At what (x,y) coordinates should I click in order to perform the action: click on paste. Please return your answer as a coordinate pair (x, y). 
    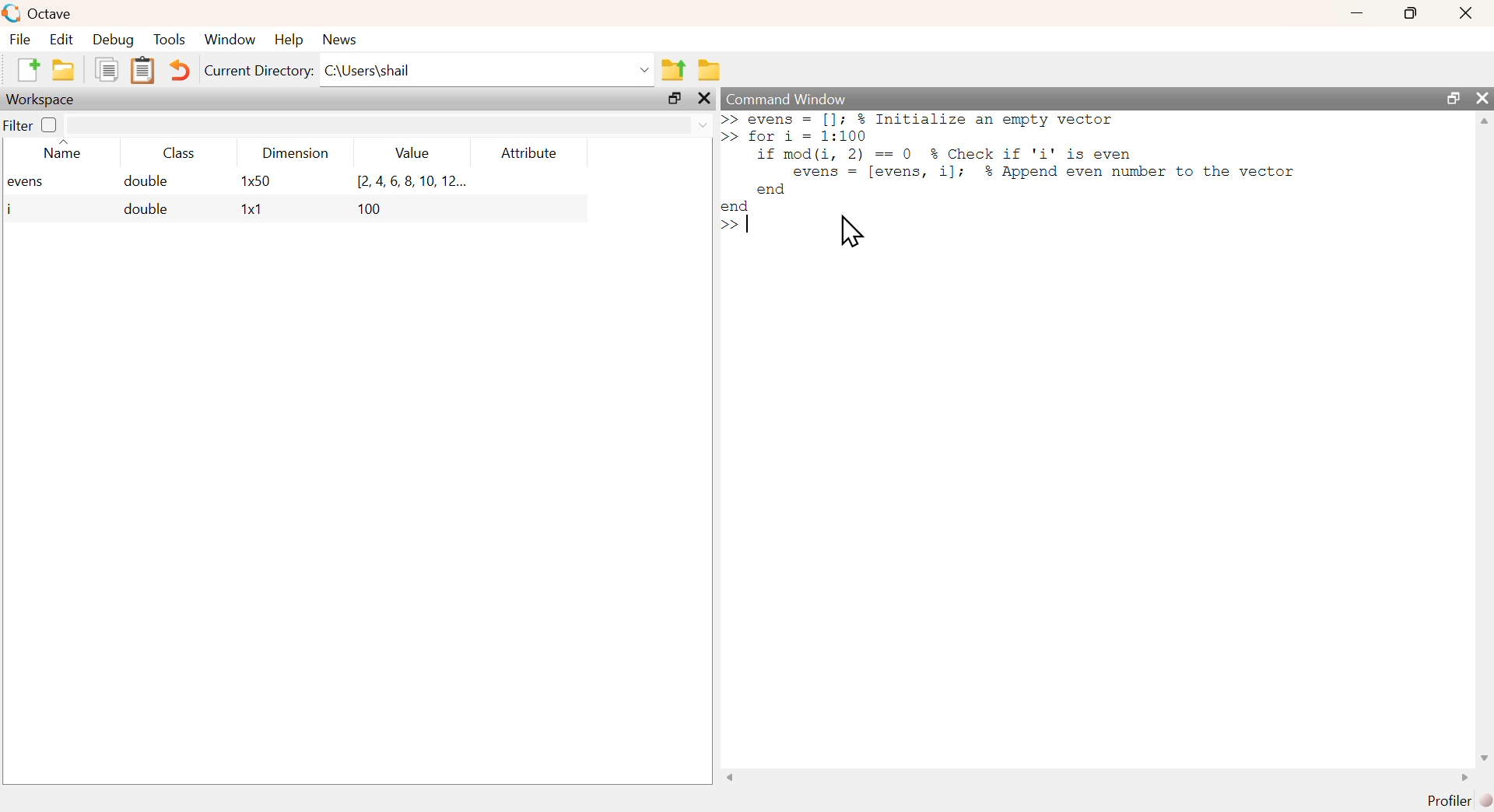
    Looking at the image, I should click on (142, 71).